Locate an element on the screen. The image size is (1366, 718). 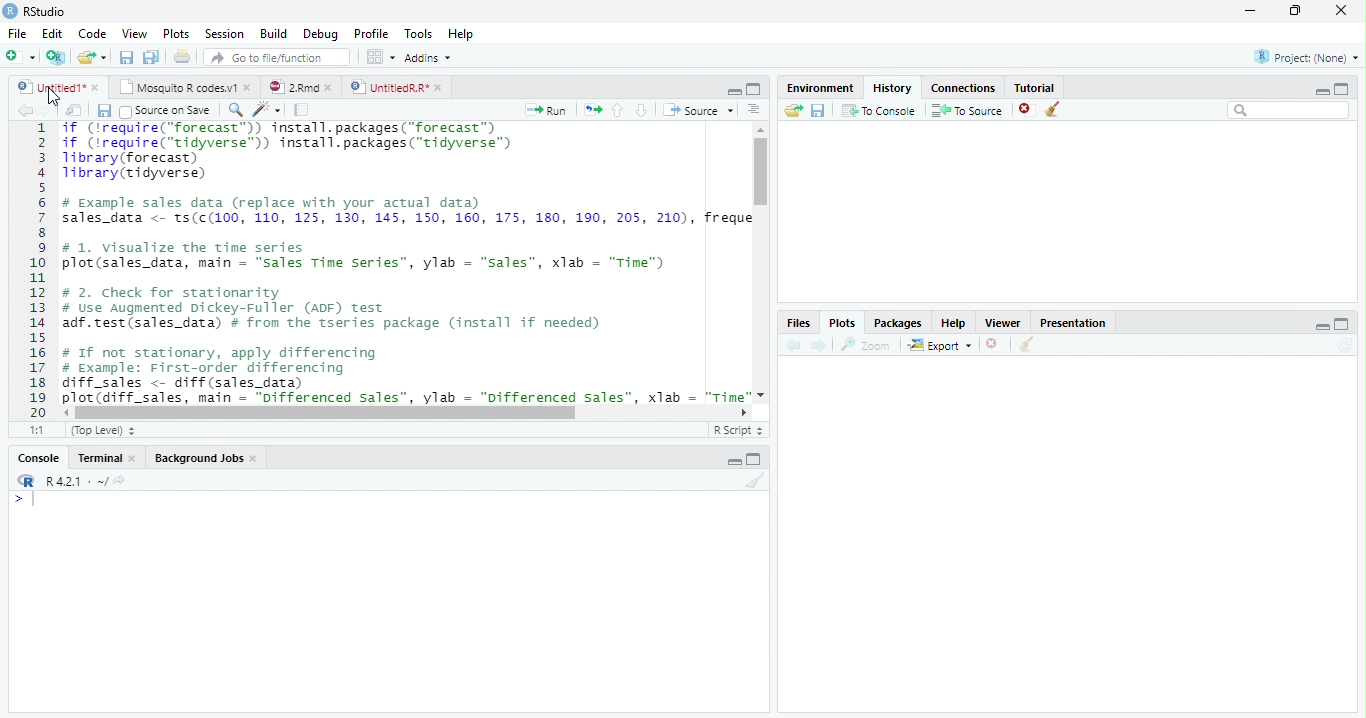
Minimize is located at coordinates (1252, 10).